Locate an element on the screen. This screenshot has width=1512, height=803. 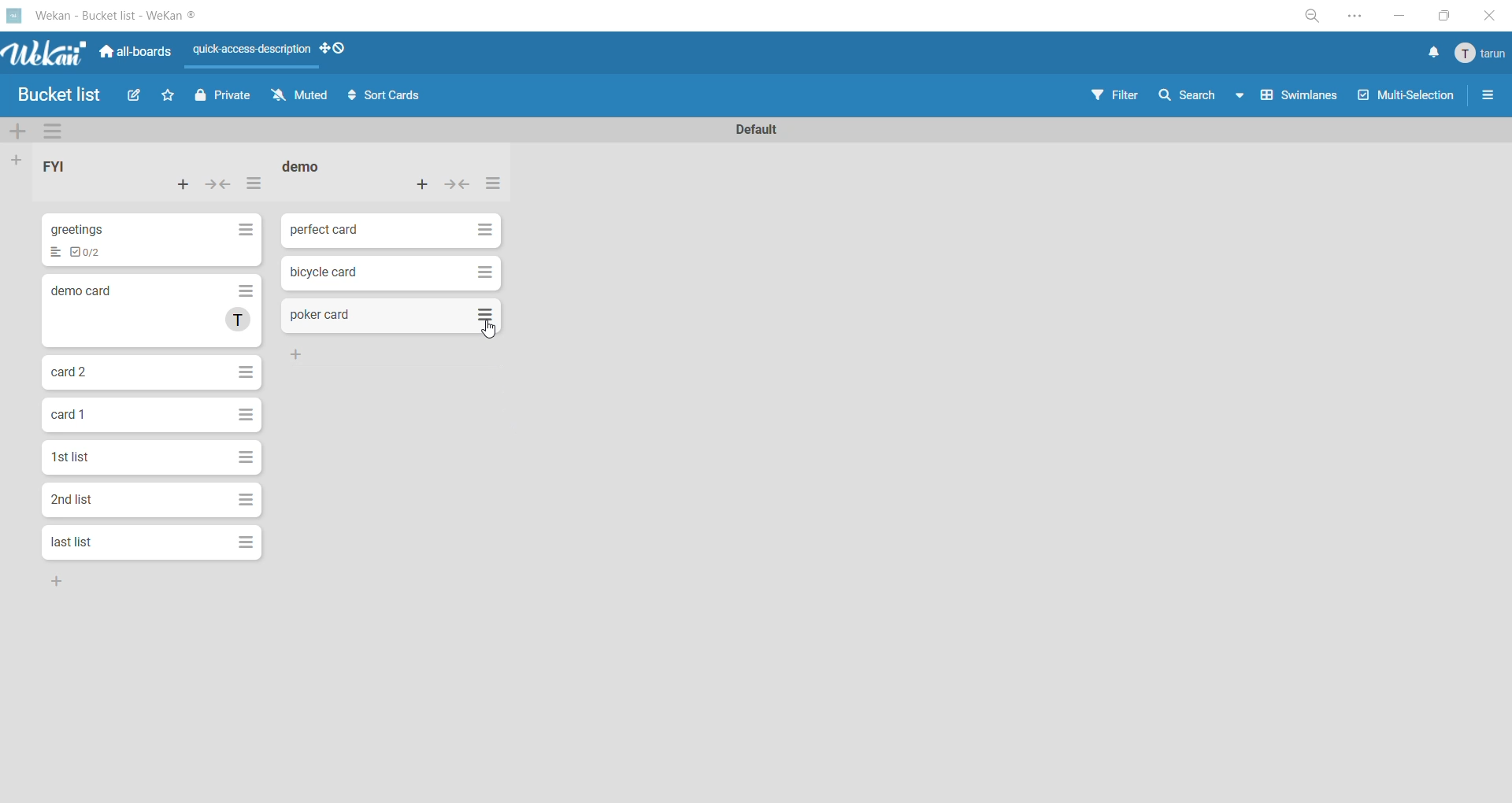
Add is located at coordinates (57, 583).